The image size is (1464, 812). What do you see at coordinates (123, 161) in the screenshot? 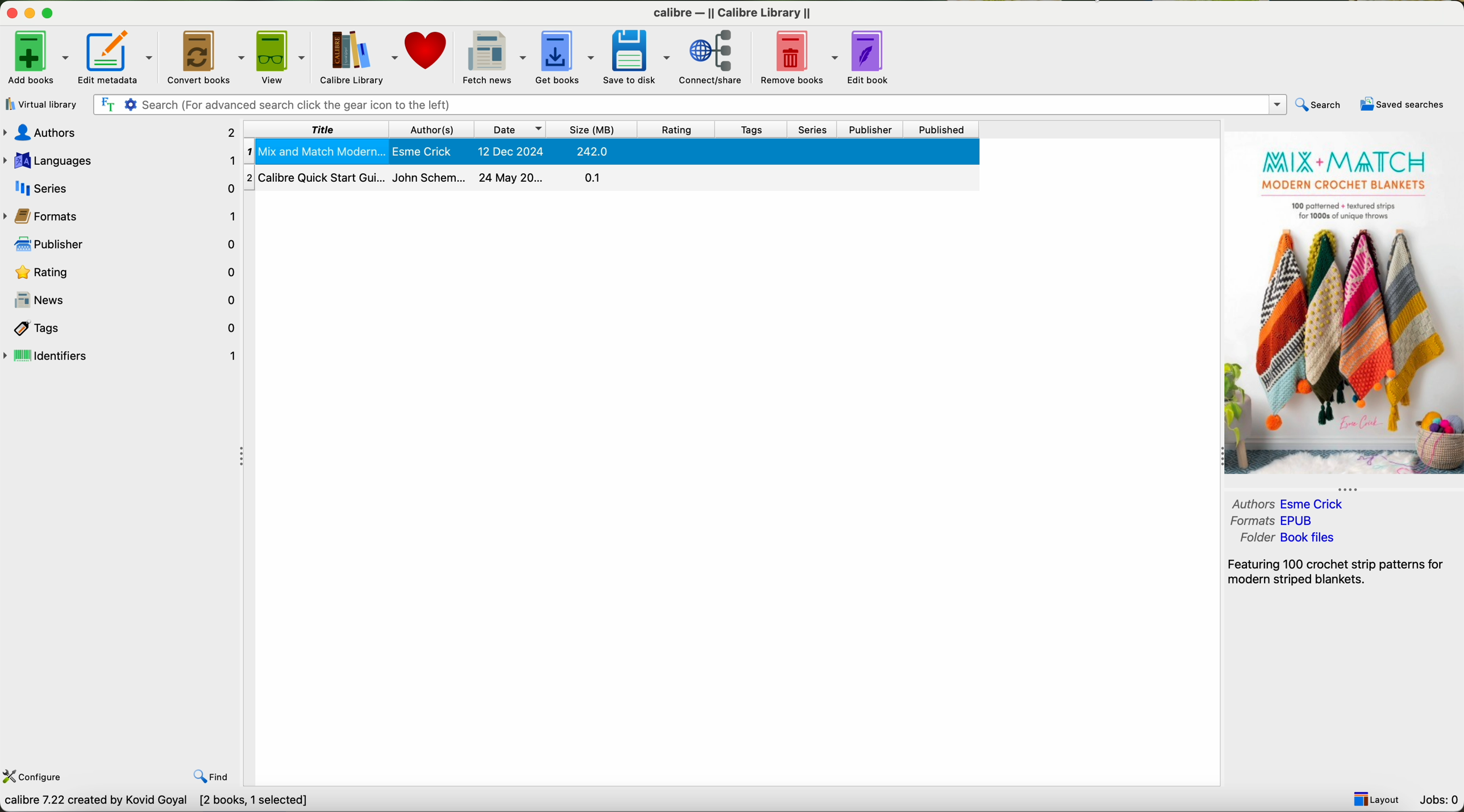
I see `languages` at bounding box center [123, 161].